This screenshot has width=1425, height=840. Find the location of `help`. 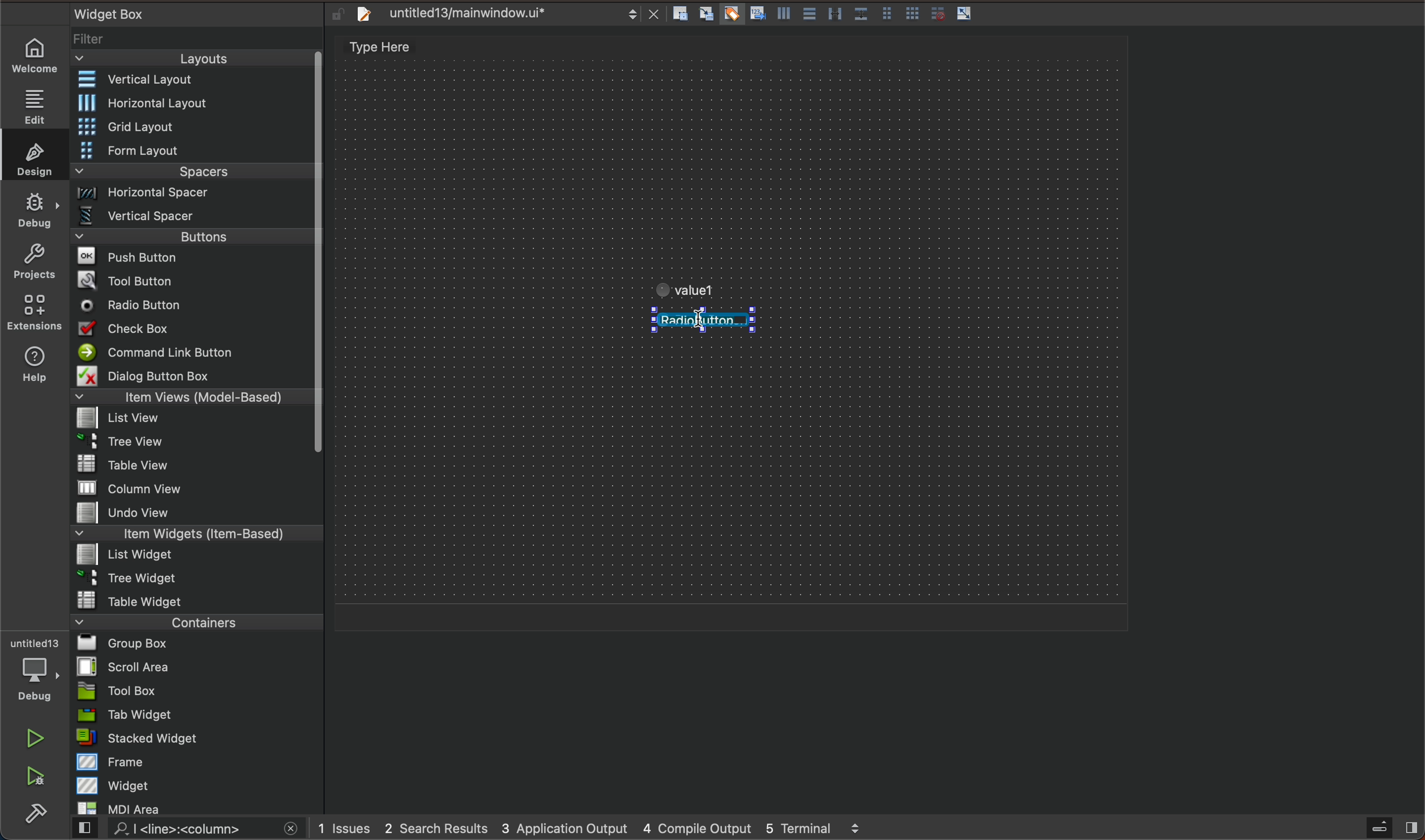

help is located at coordinates (32, 367).